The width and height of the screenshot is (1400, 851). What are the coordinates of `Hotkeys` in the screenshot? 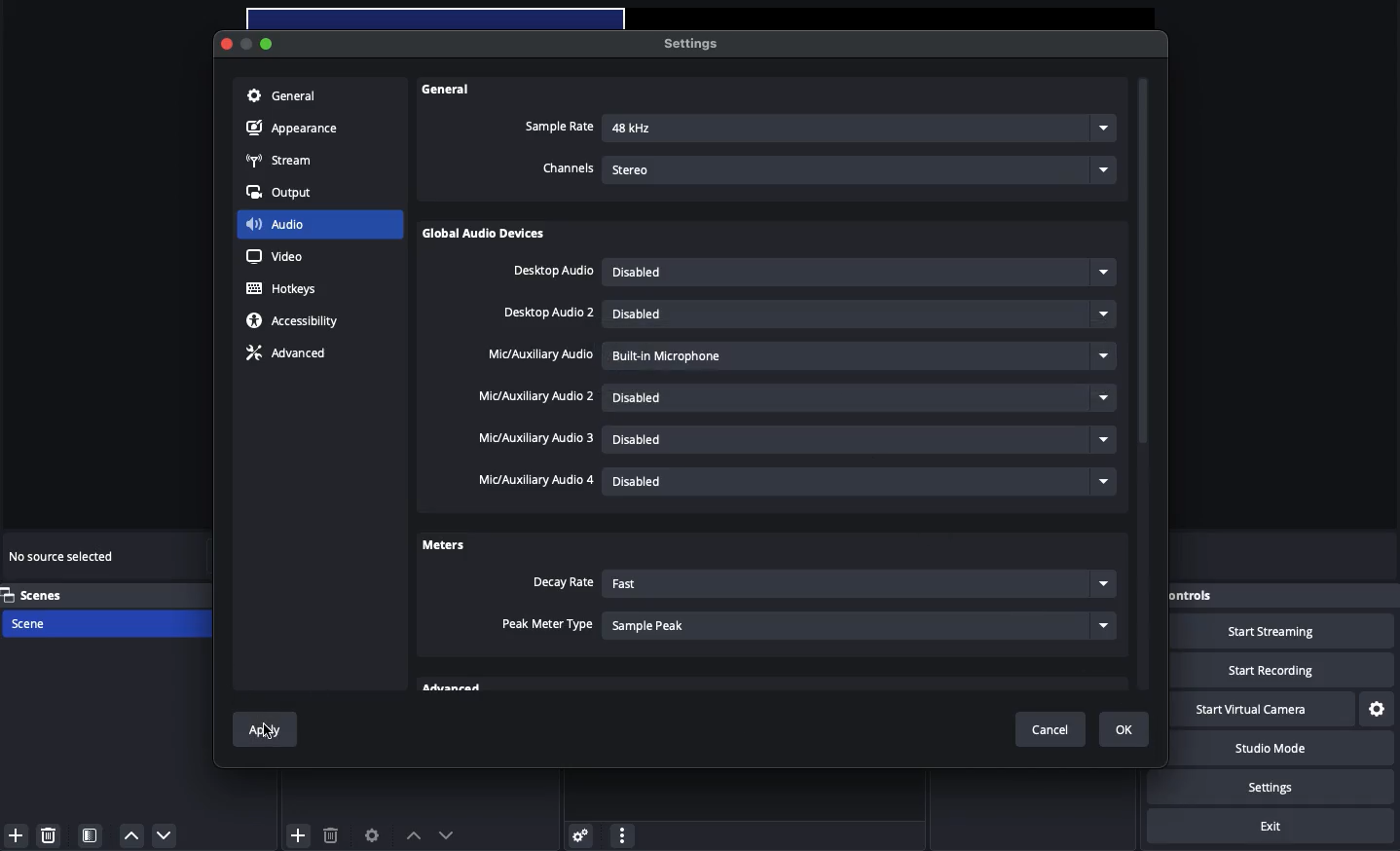 It's located at (285, 289).